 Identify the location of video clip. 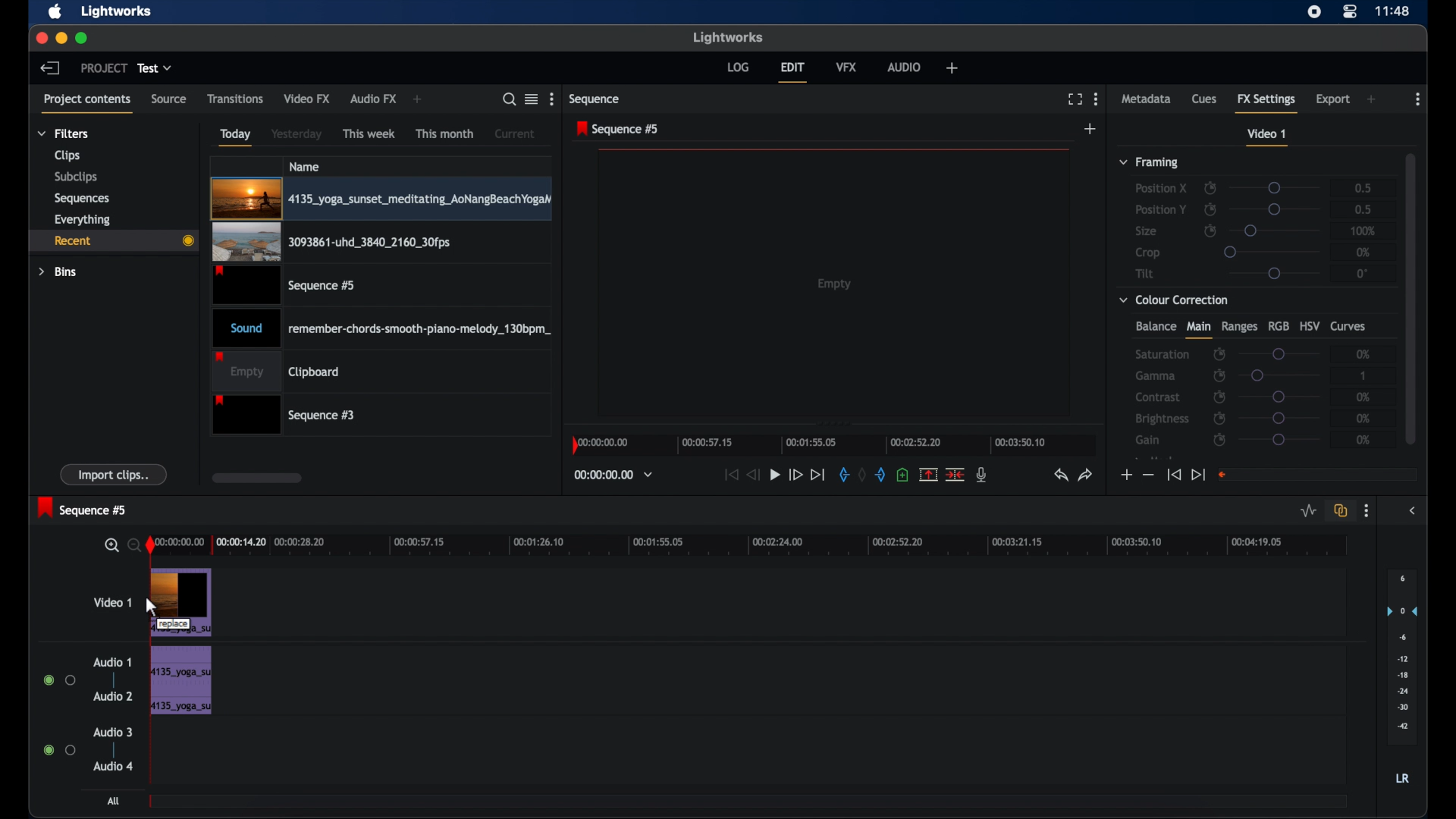
(286, 285).